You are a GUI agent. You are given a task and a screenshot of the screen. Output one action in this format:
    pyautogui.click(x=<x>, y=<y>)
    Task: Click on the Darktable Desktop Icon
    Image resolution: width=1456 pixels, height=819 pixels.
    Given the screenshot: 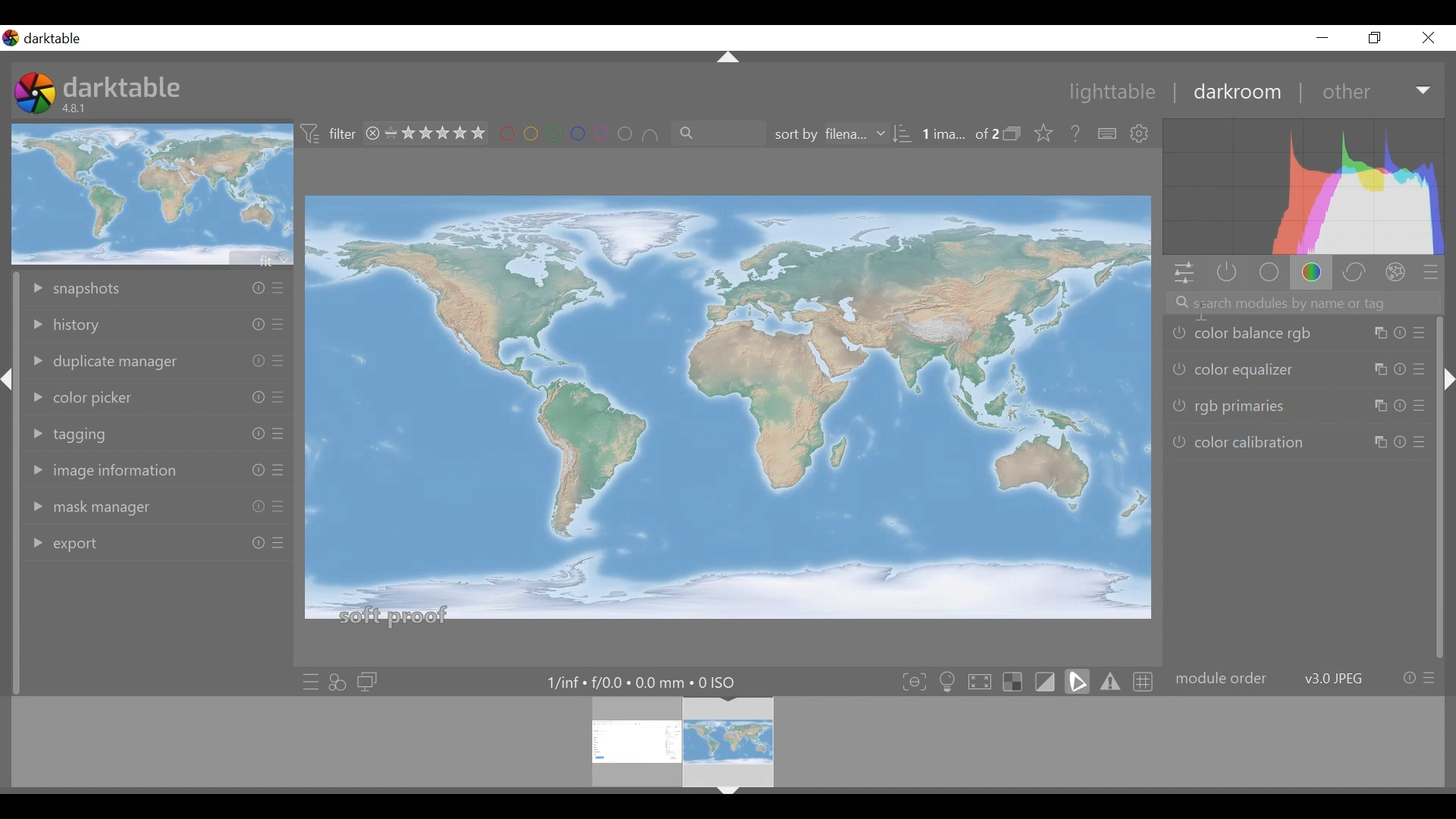 What is the action you would take?
    pyautogui.click(x=36, y=95)
    